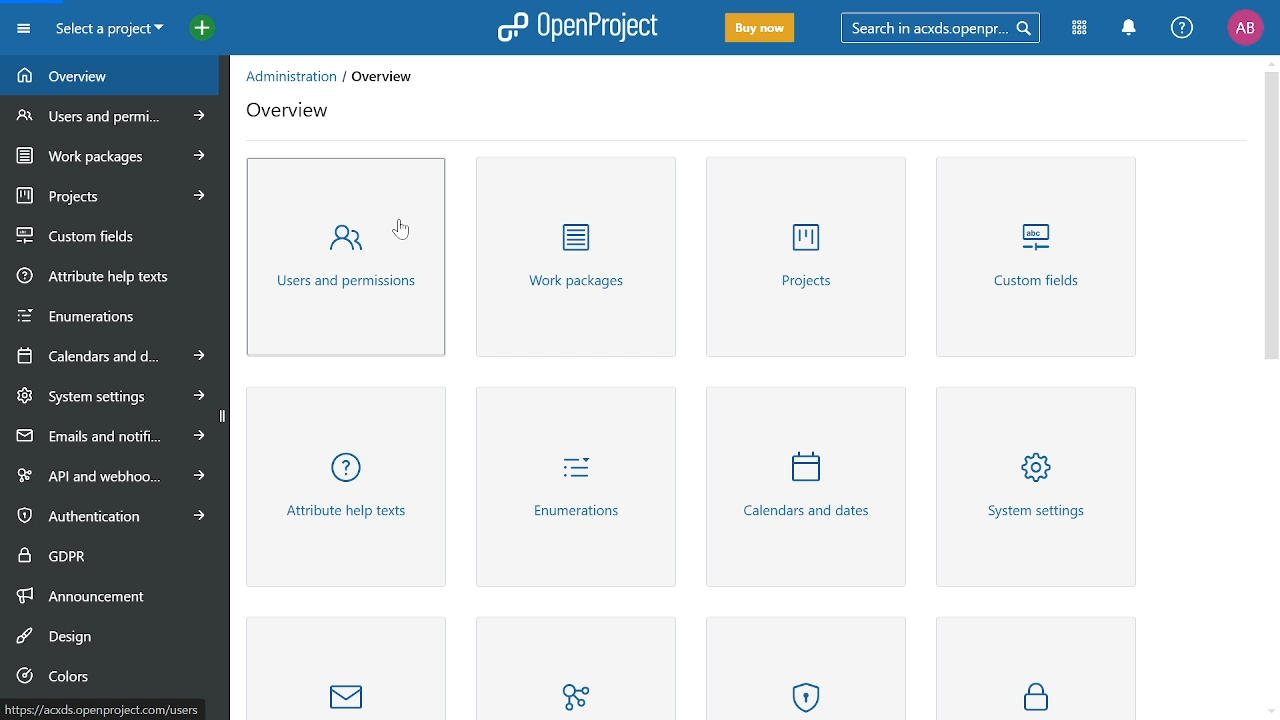  Describe the element at coordinates (342, 488) in the screenshot. I see `Attribute help texts` at that location.